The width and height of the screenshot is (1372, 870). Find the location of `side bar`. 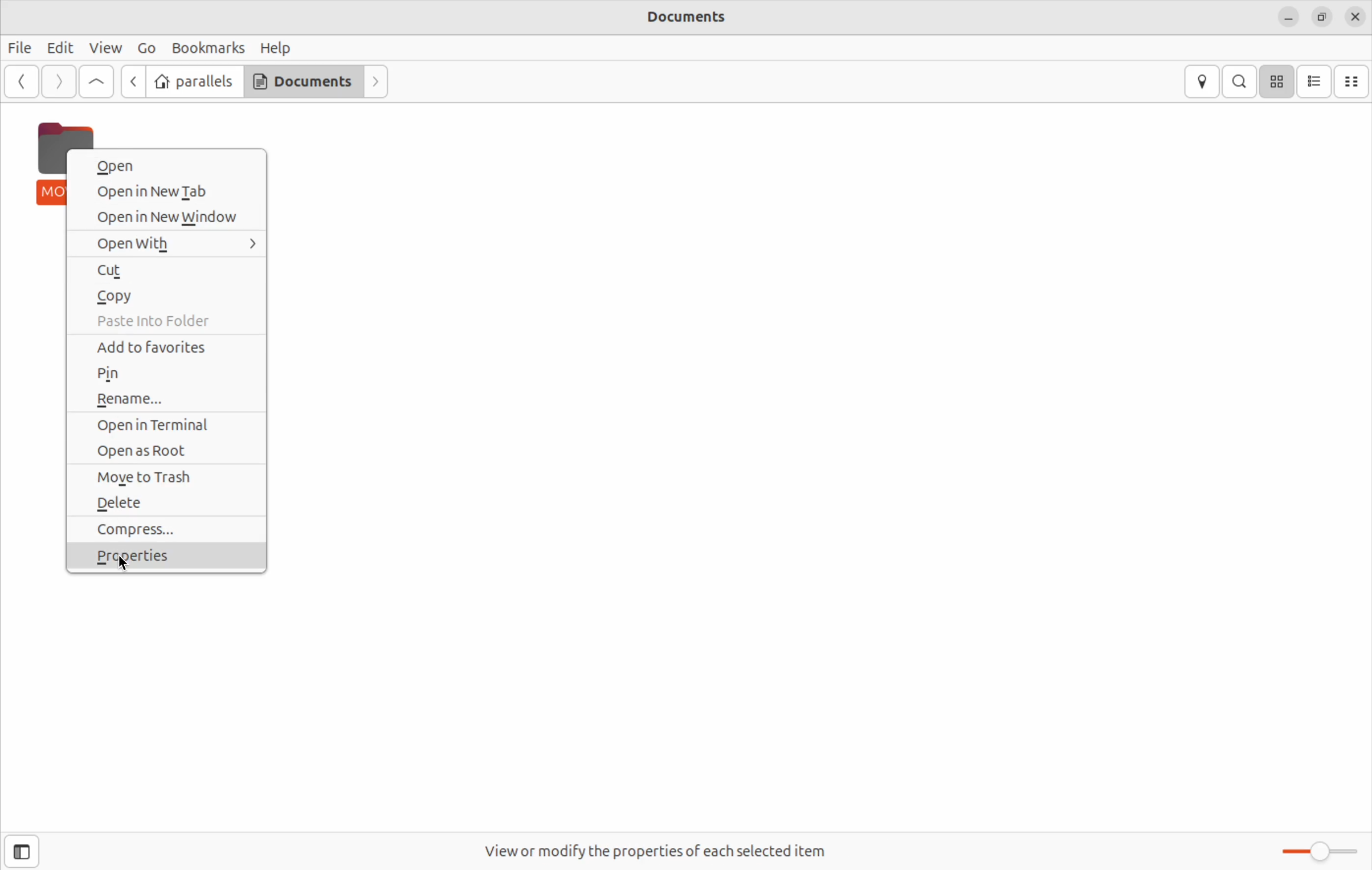

side bar is located at coordinates (22, 853).